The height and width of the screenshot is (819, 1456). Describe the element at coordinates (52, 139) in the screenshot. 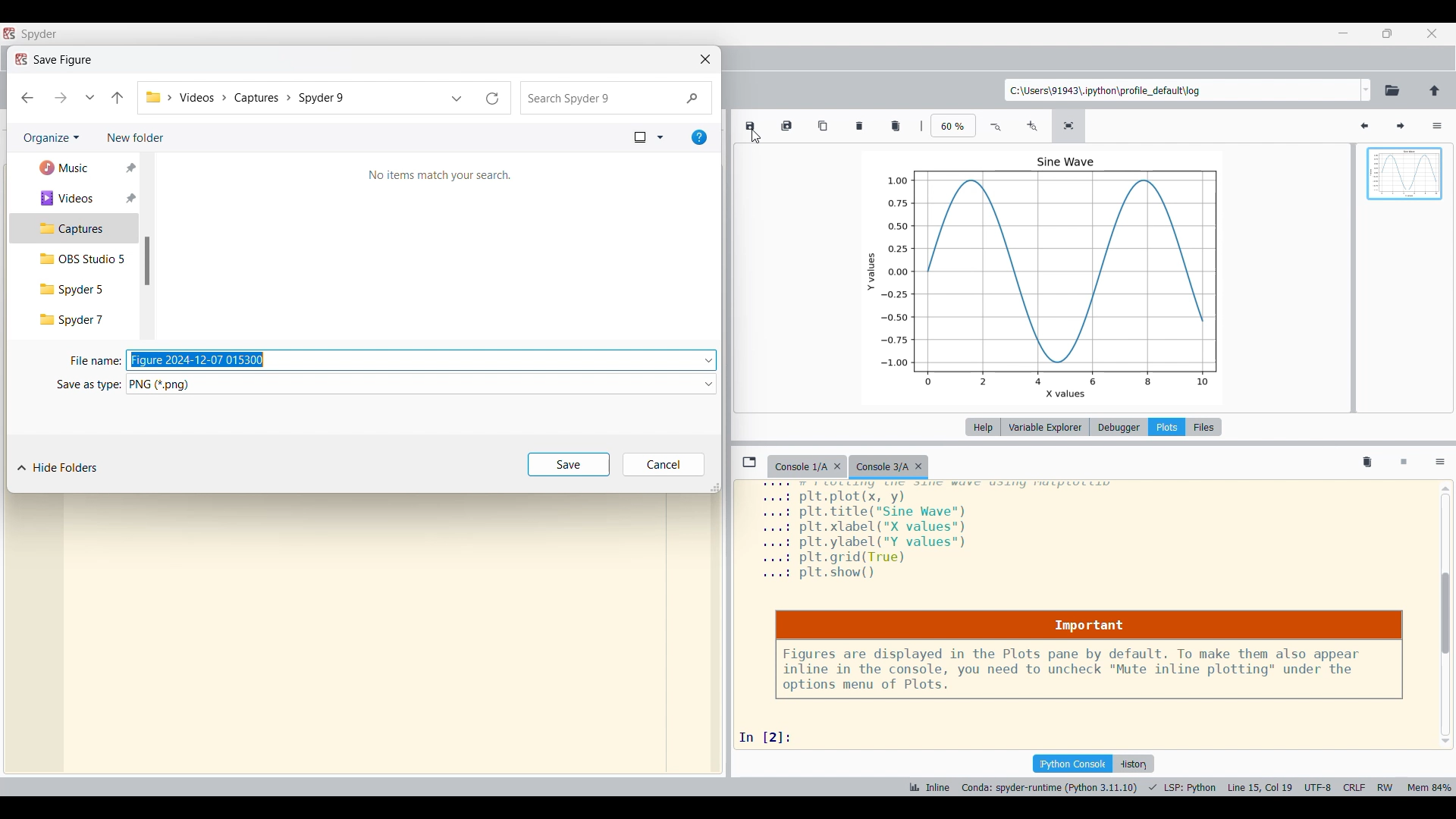

I see `Organize options` at that location.